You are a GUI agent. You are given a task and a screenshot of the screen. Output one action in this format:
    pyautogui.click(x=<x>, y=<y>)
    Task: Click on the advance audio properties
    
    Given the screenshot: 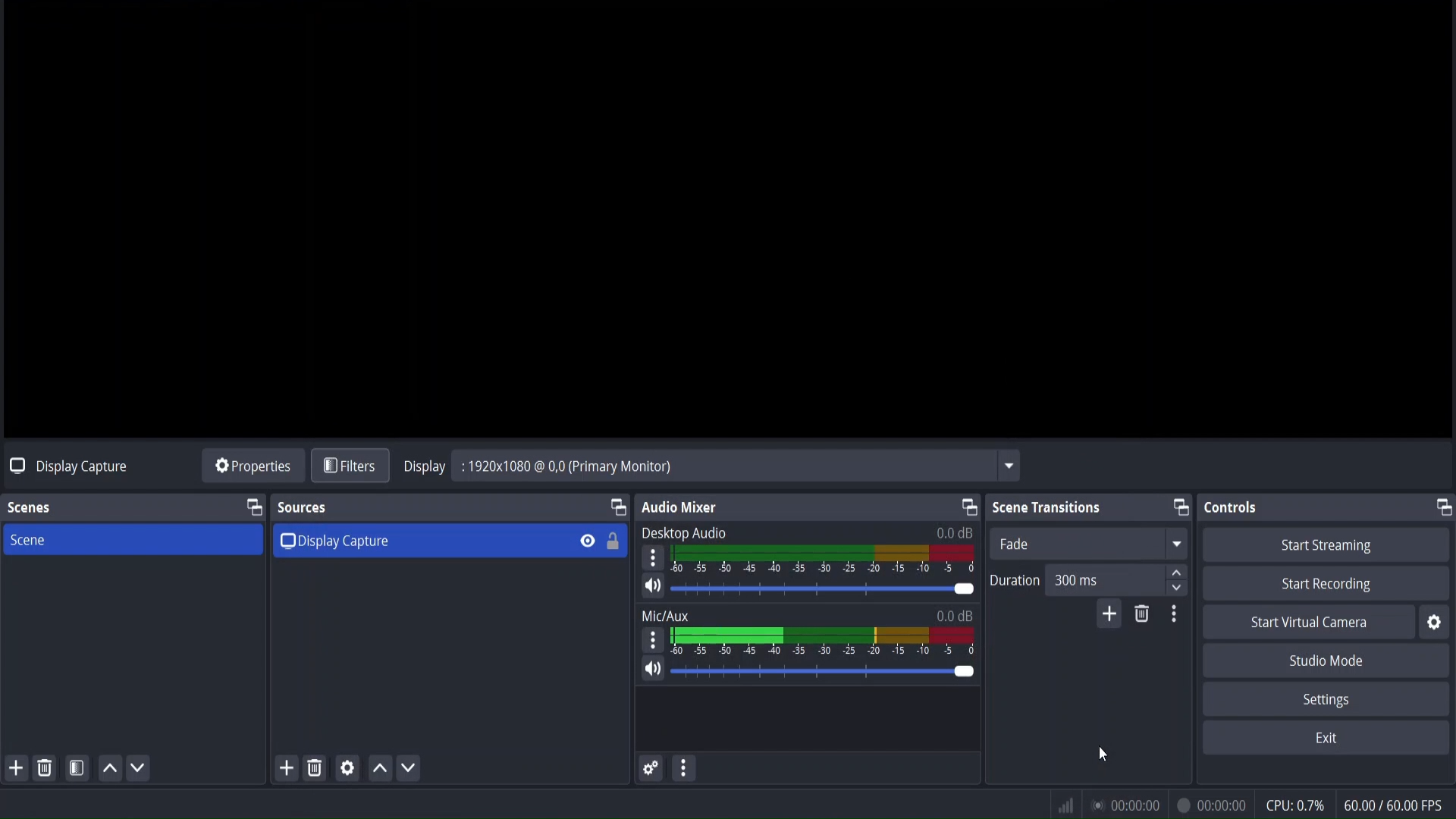 What is the action you would take?
    pyautogui.click(x=648, y=767)
    